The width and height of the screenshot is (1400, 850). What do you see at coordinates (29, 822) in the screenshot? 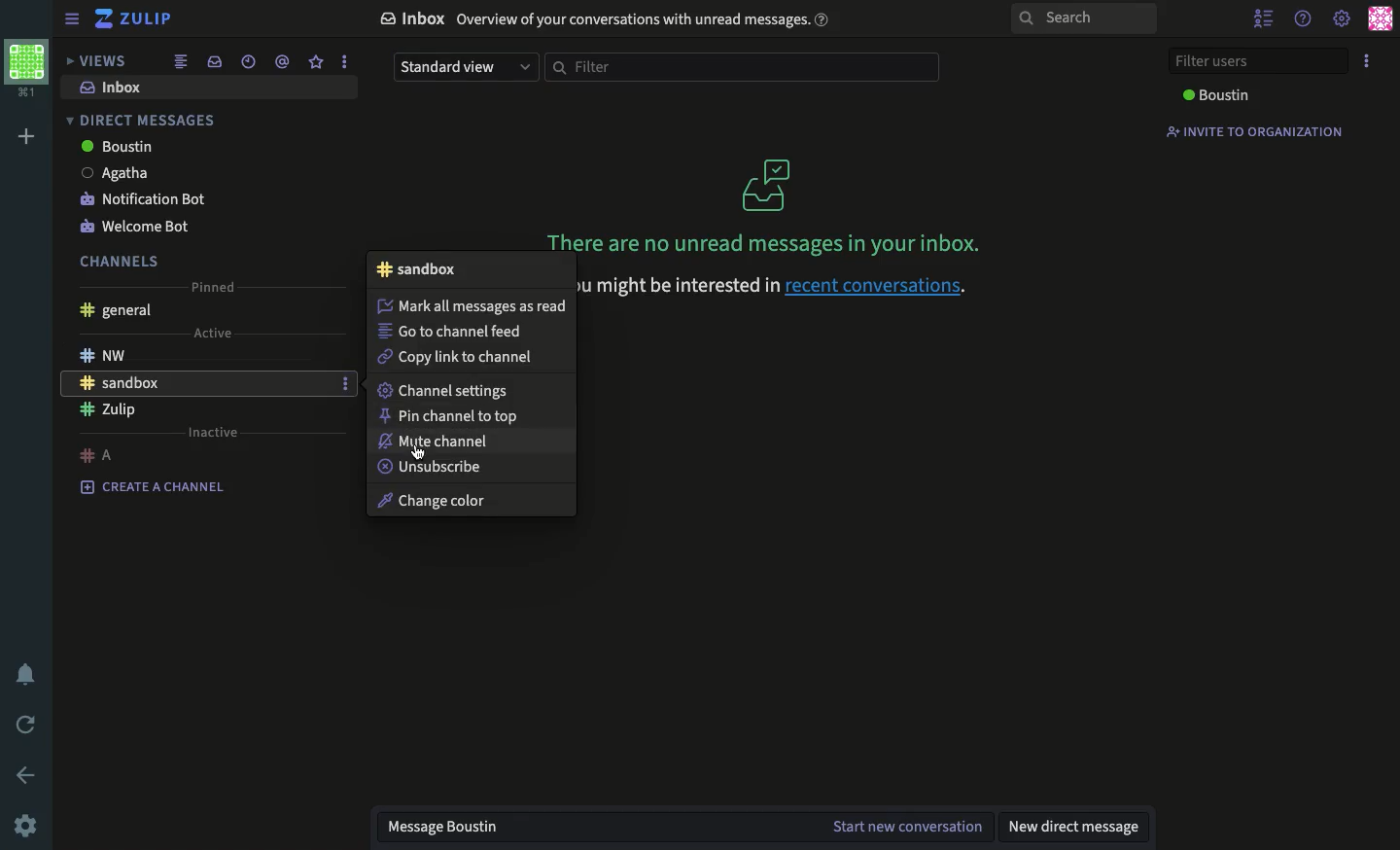
I see `settings` at bounding box center [29, 822].